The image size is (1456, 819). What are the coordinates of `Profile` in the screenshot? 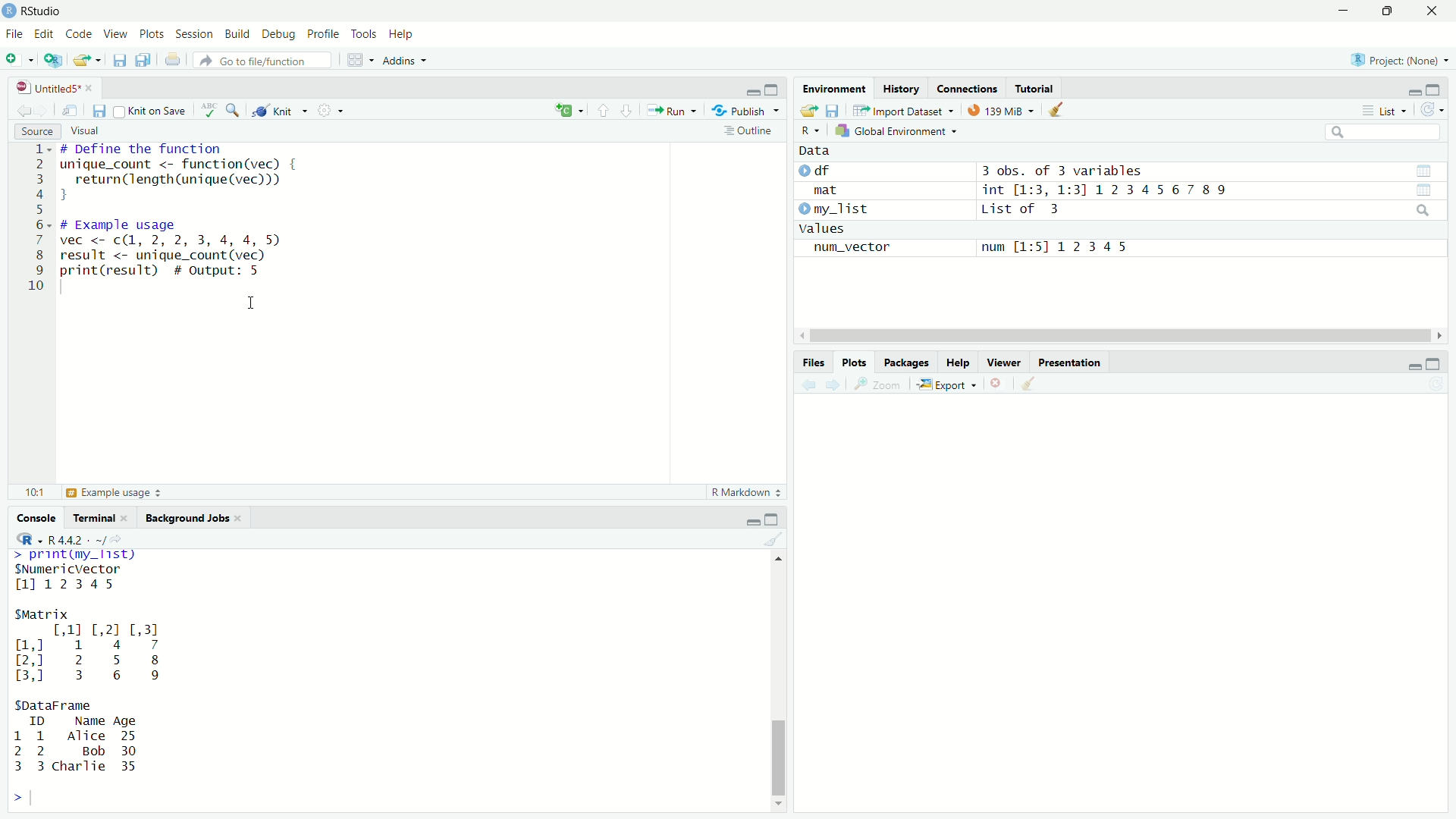 It's located at (325, 34).